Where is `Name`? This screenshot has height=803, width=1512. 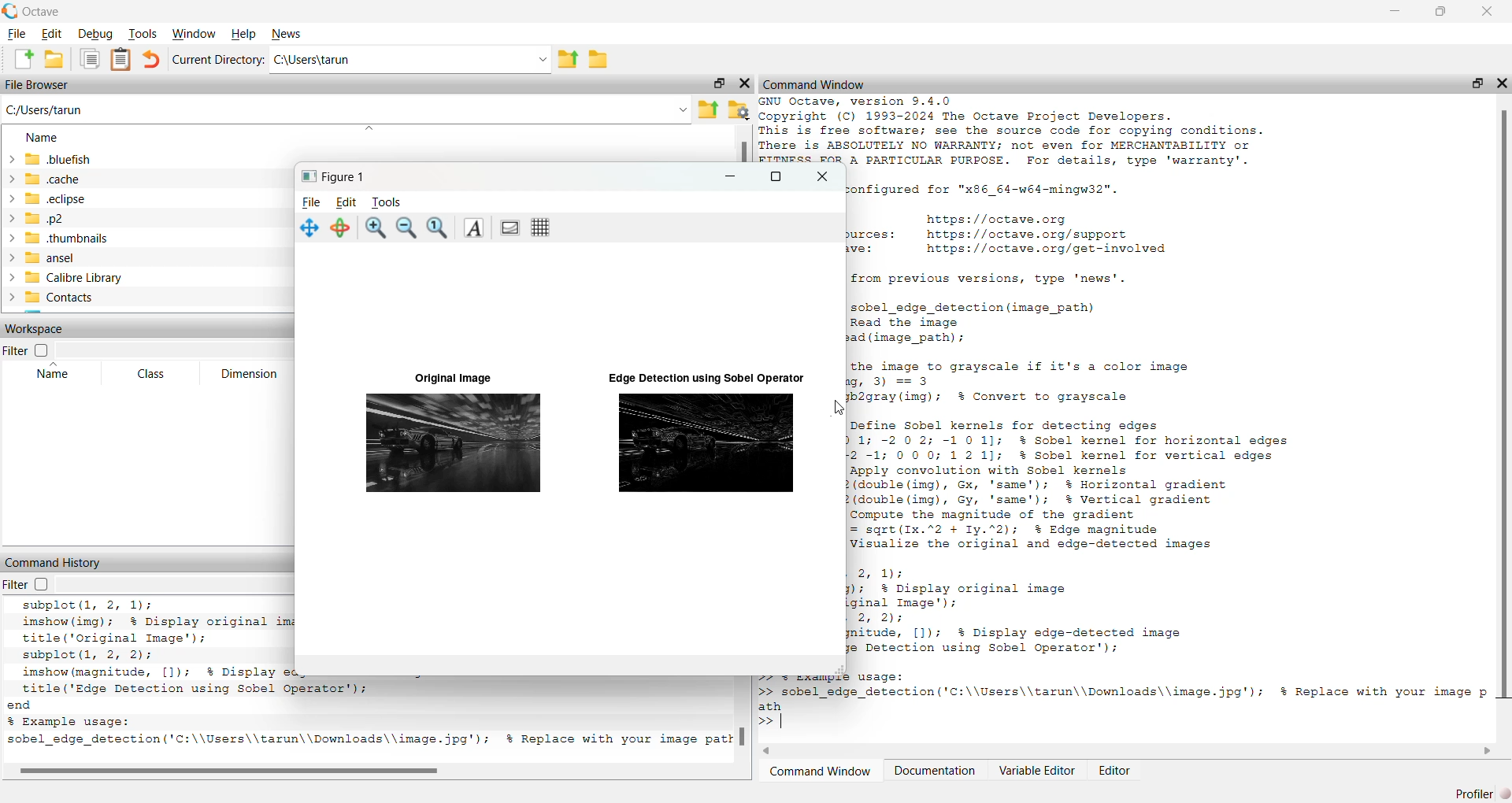 Name is located at coordinates (55, 376).